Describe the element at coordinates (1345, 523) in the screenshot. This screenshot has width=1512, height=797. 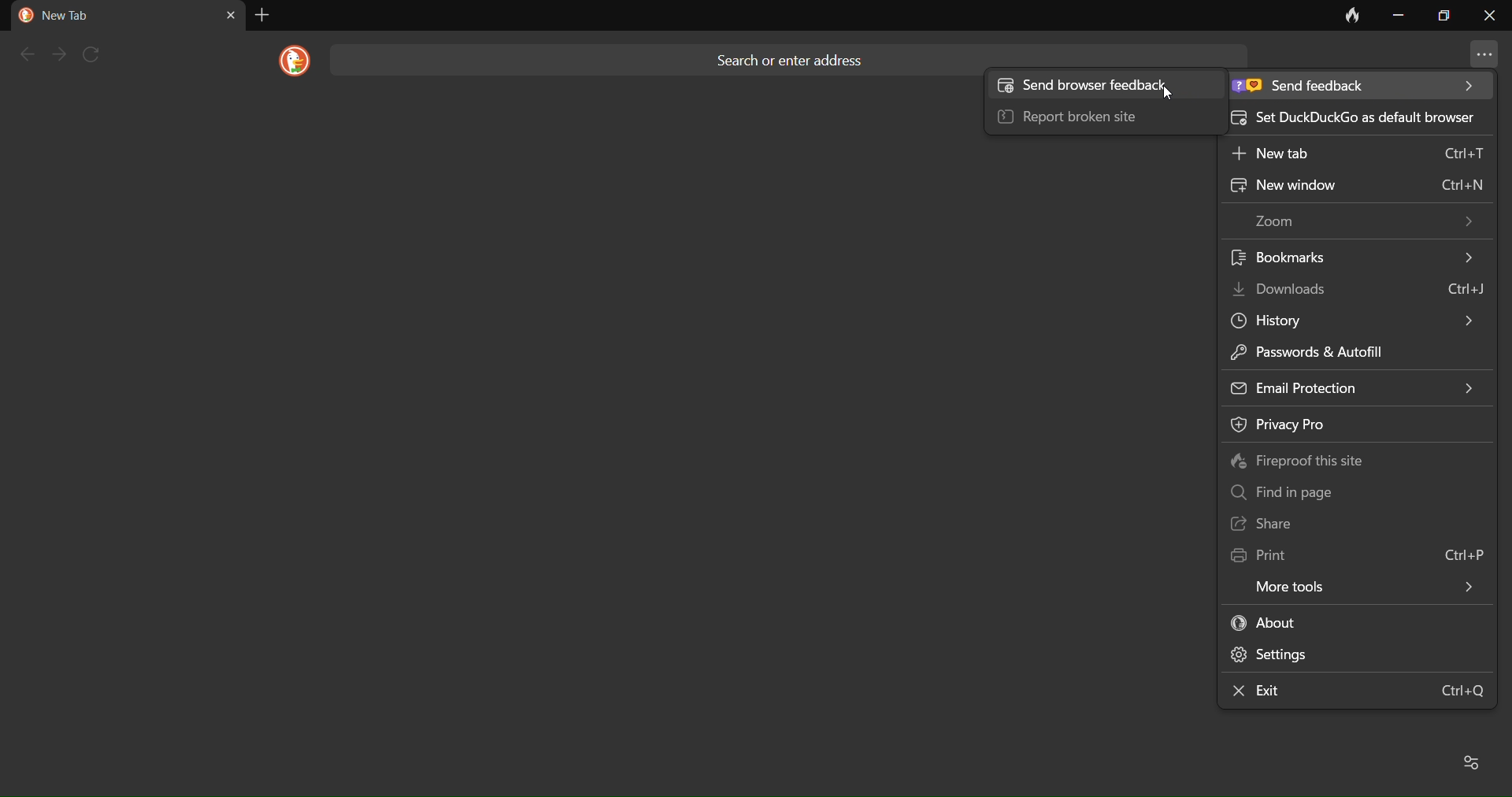
I see `share` at that location.